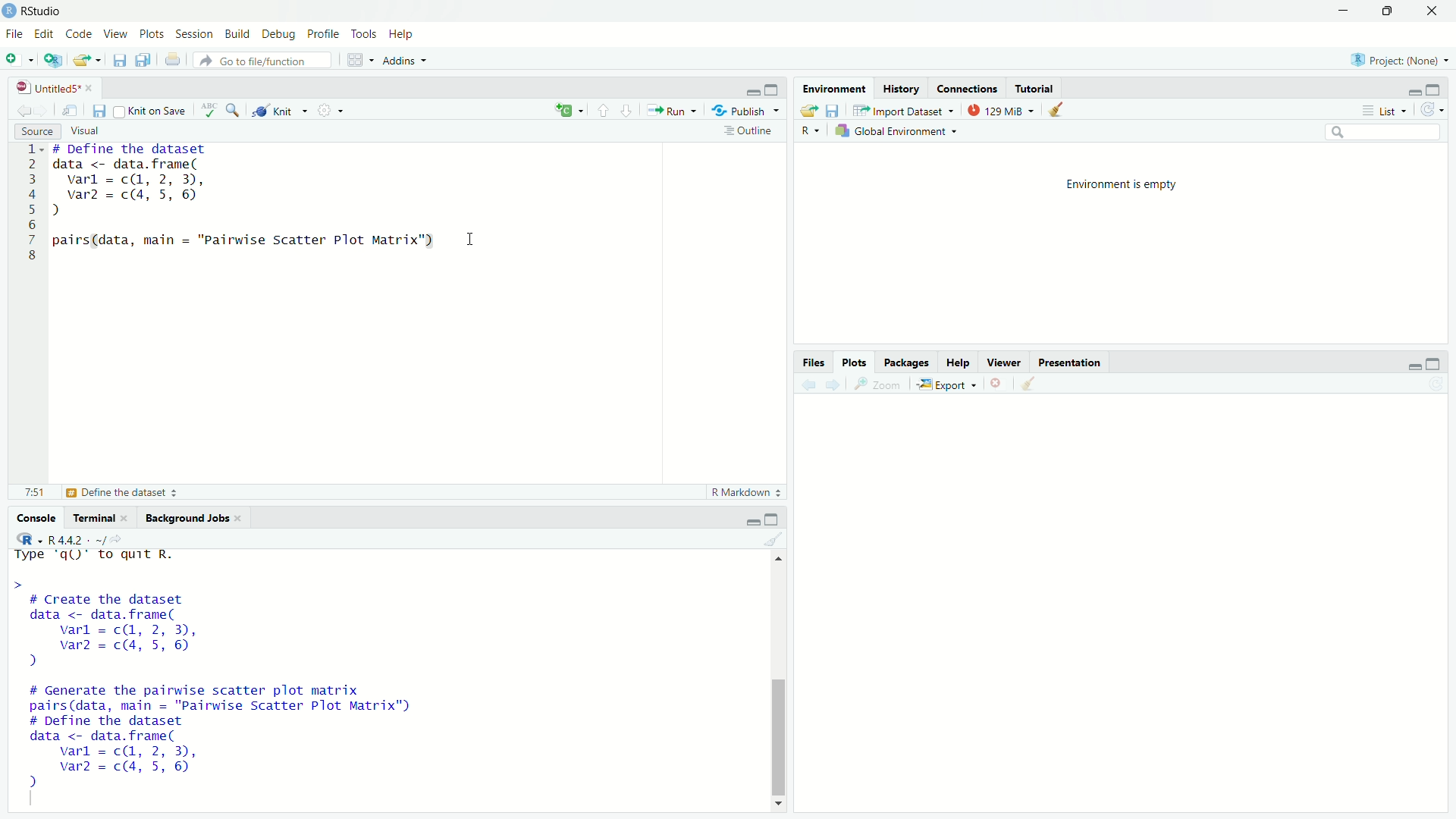  Describe the element at coordinates (280, 35) in the screenshot. I see `Debug` at that location.